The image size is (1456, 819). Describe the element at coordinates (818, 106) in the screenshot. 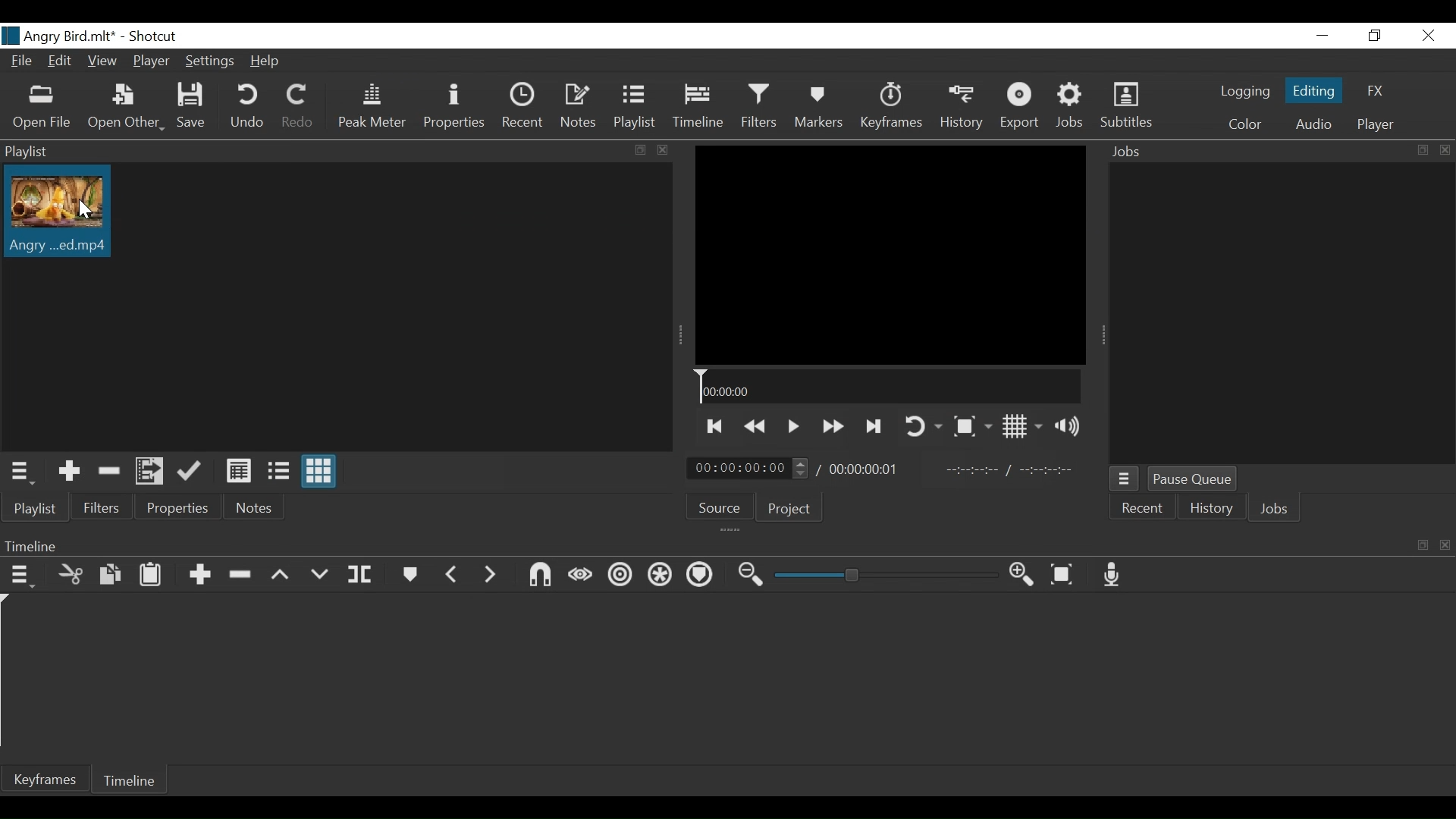

I see `Markers` at that location.